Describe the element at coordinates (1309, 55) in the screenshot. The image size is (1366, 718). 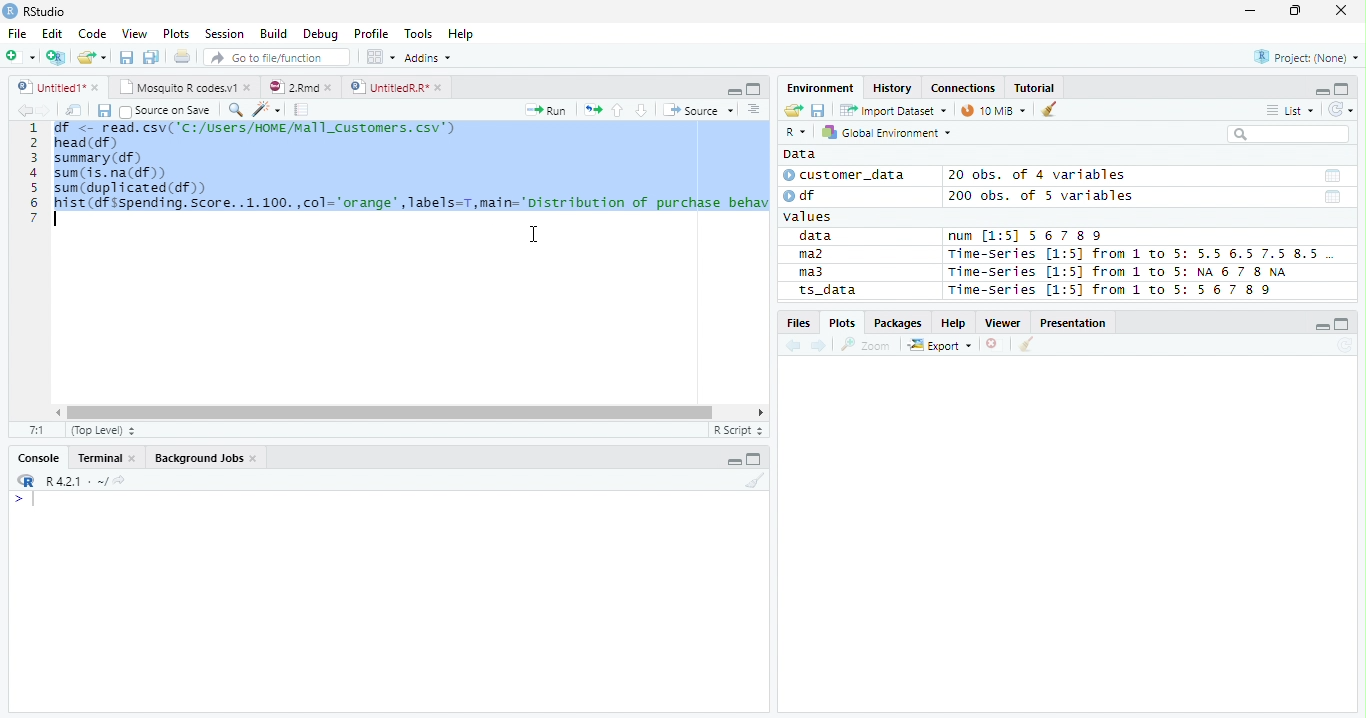
I see `Project (none)` at that location.